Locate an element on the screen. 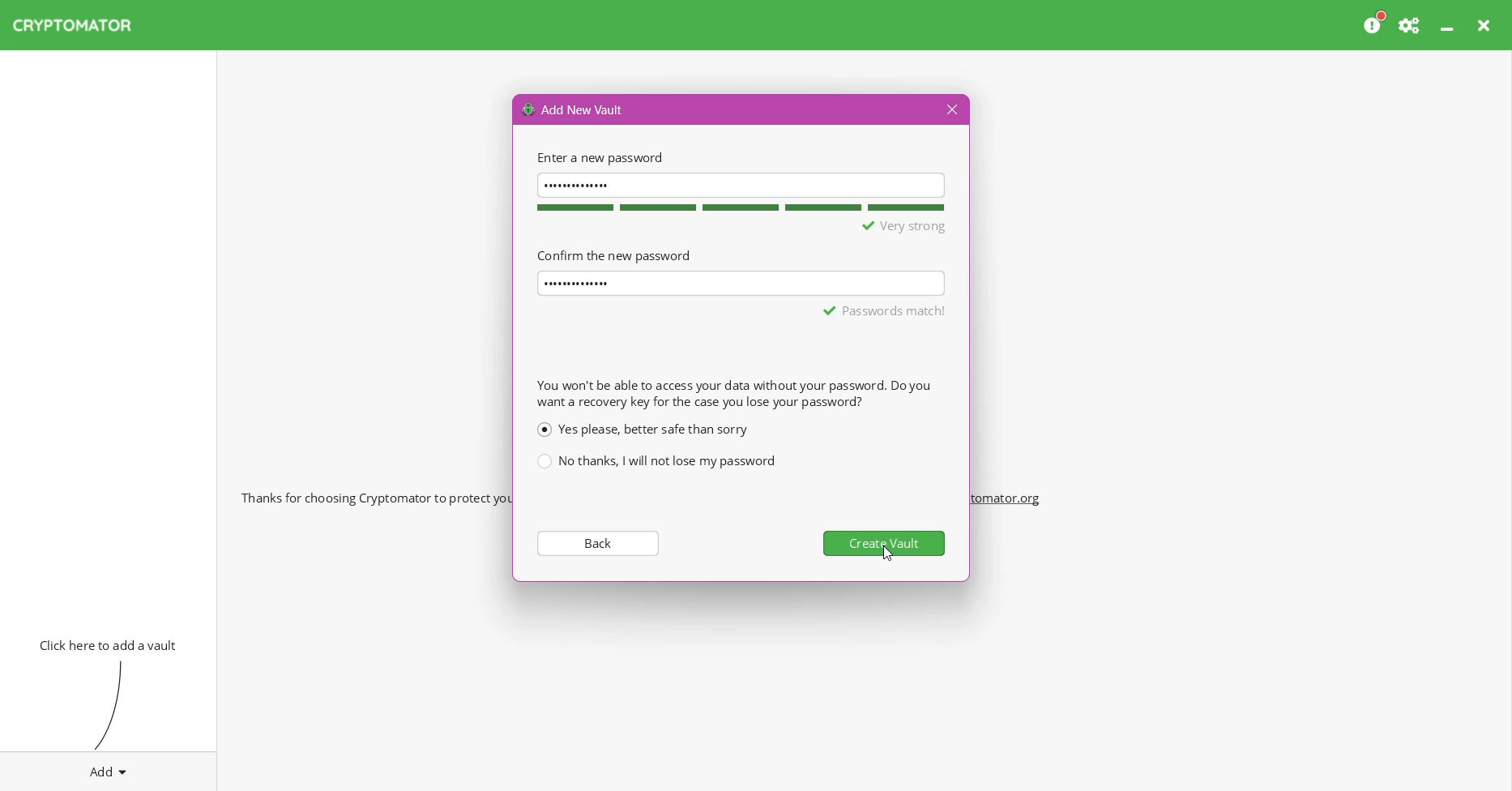 The height and width of the screenshot is (791, 1512). Yes please, better safe than sorry is located at coordinates (642, 429).